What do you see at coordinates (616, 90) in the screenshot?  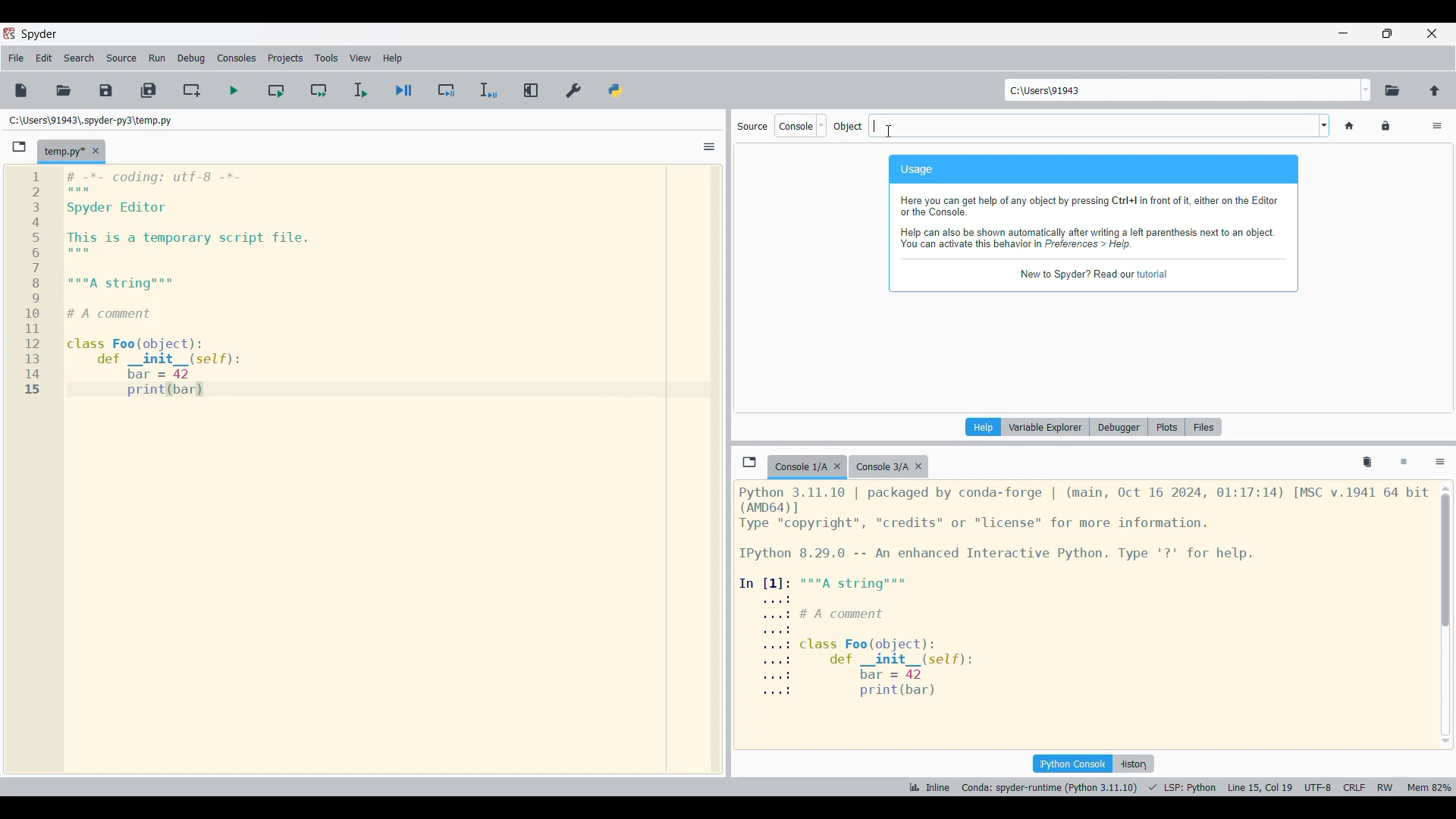 I see `PYTHONPATH manager` at bounding box center [616, 90].